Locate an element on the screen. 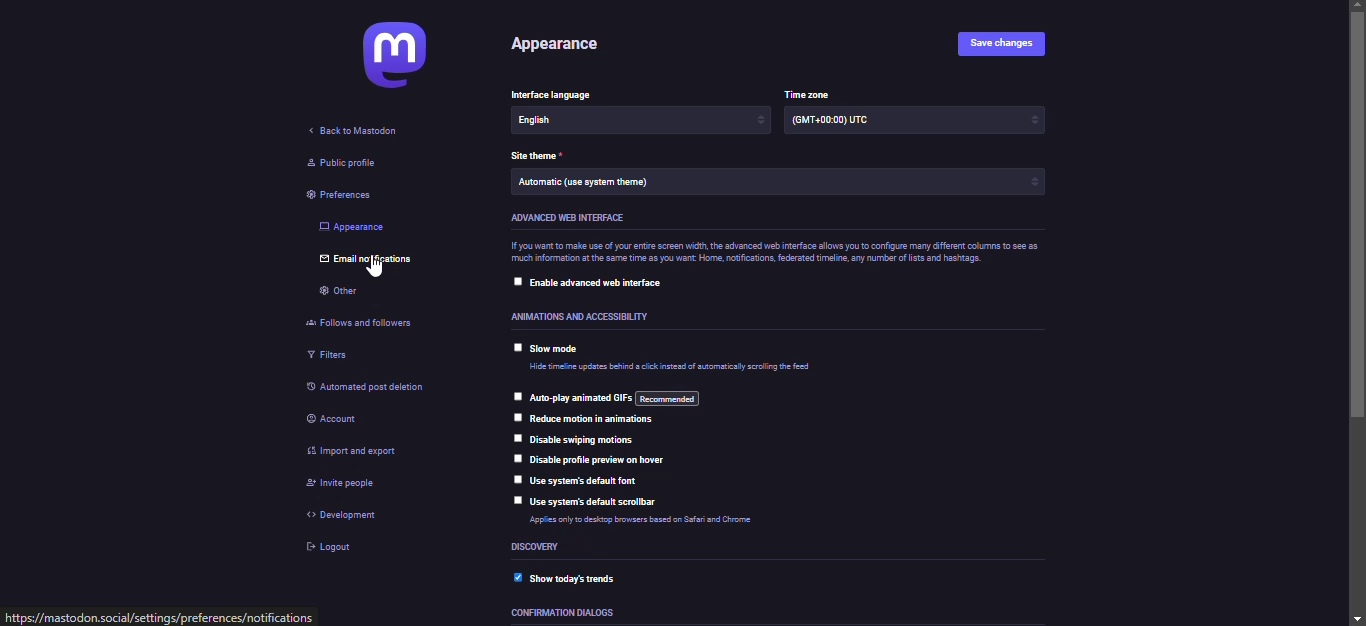 The width and height of the screenshot is (1366, 626). click to select is located at coordinates (517, 394).